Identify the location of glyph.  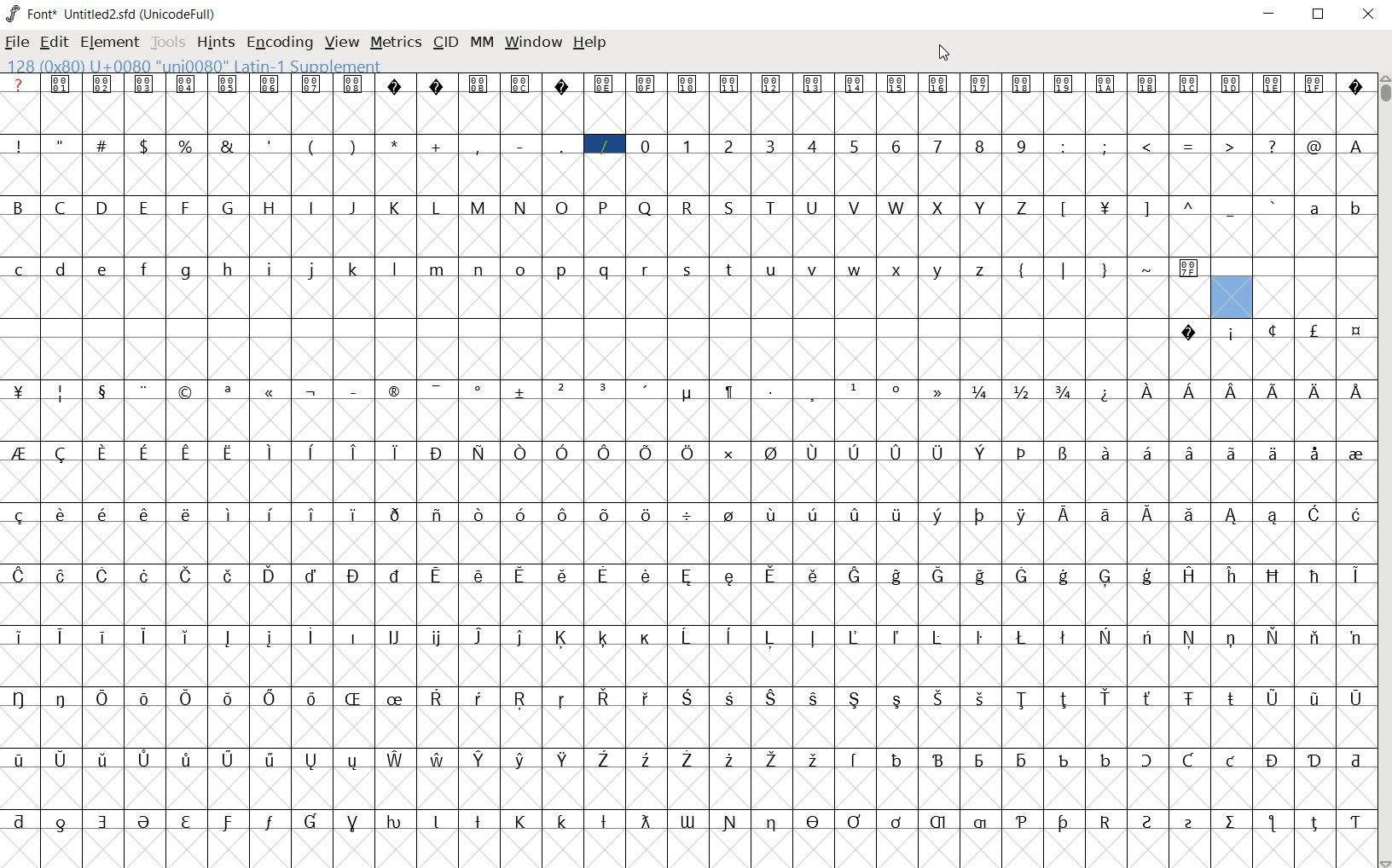
(647, 576).